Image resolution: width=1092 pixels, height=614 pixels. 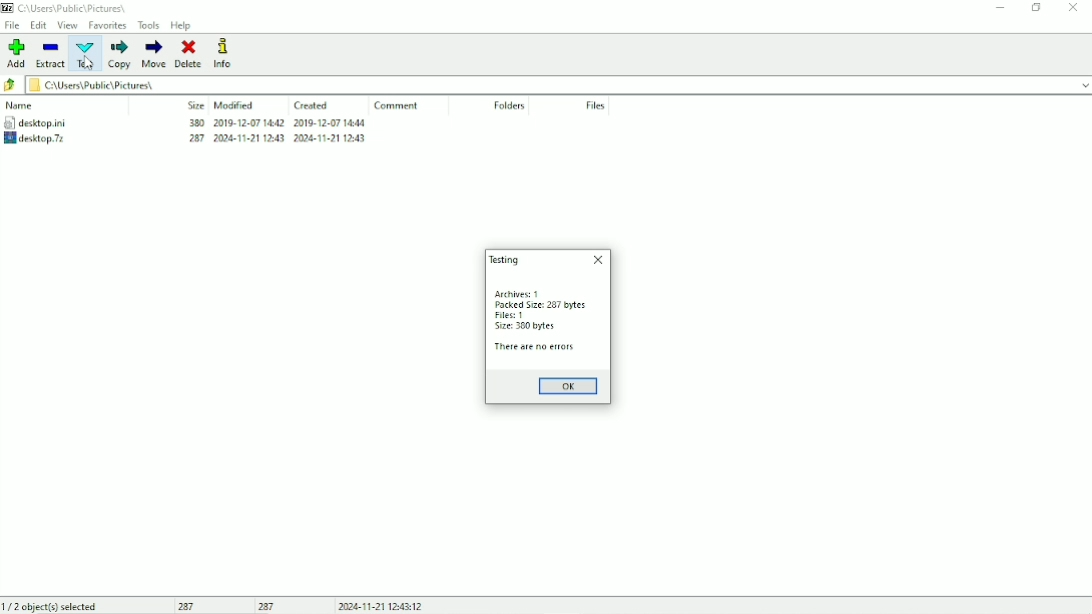 What do you see at coordinates (191, 139) in the screenshot?
I see `283` at bounding box center [191, 139].